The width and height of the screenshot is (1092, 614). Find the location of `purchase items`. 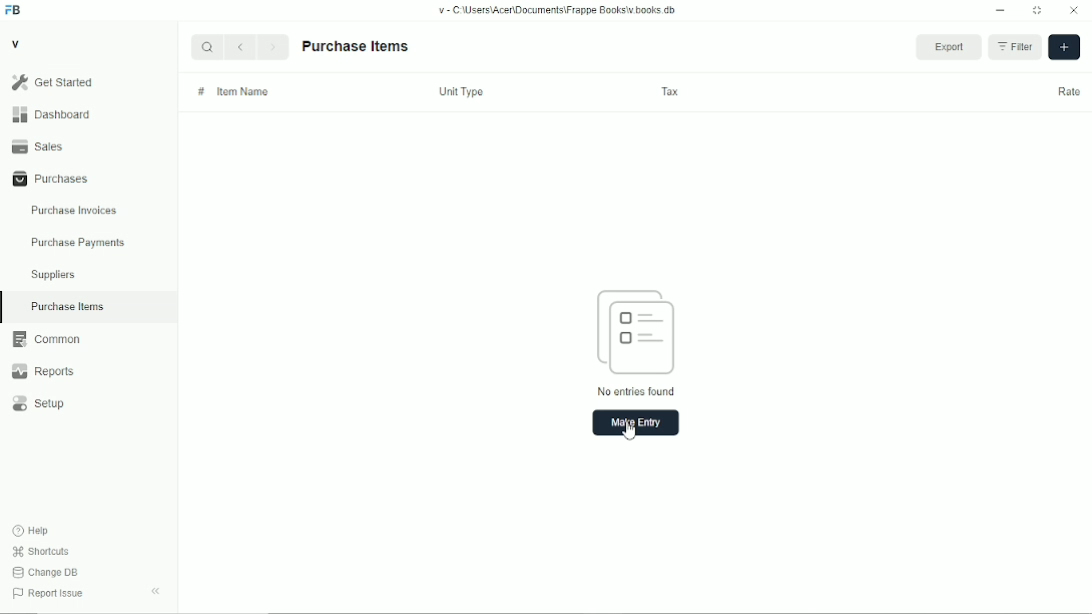

purchase items is located at coordinates (355, 46).